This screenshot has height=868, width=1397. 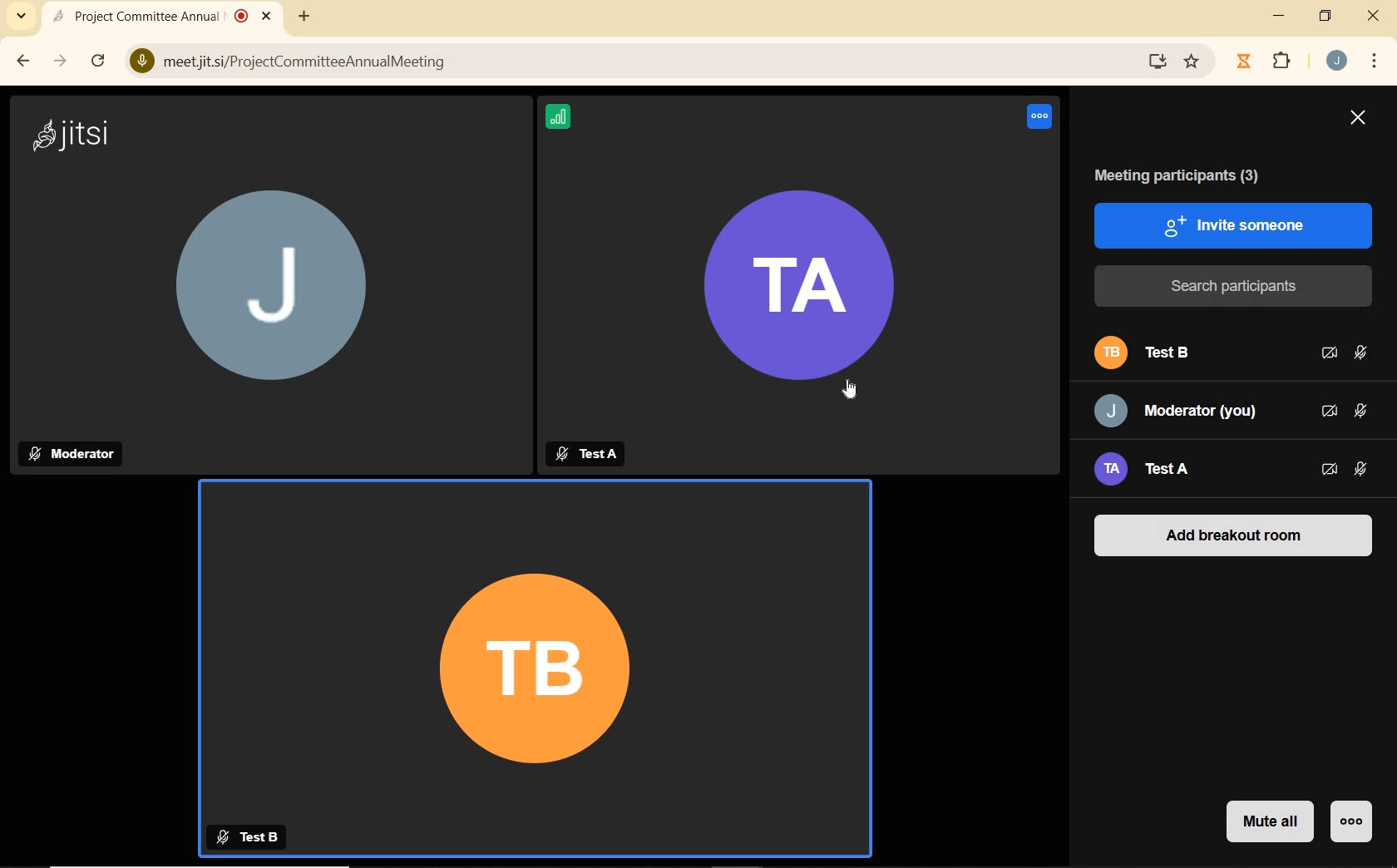 I want to click on PARTICIPANT: MODERATOR, so click(x=1178, y=412).